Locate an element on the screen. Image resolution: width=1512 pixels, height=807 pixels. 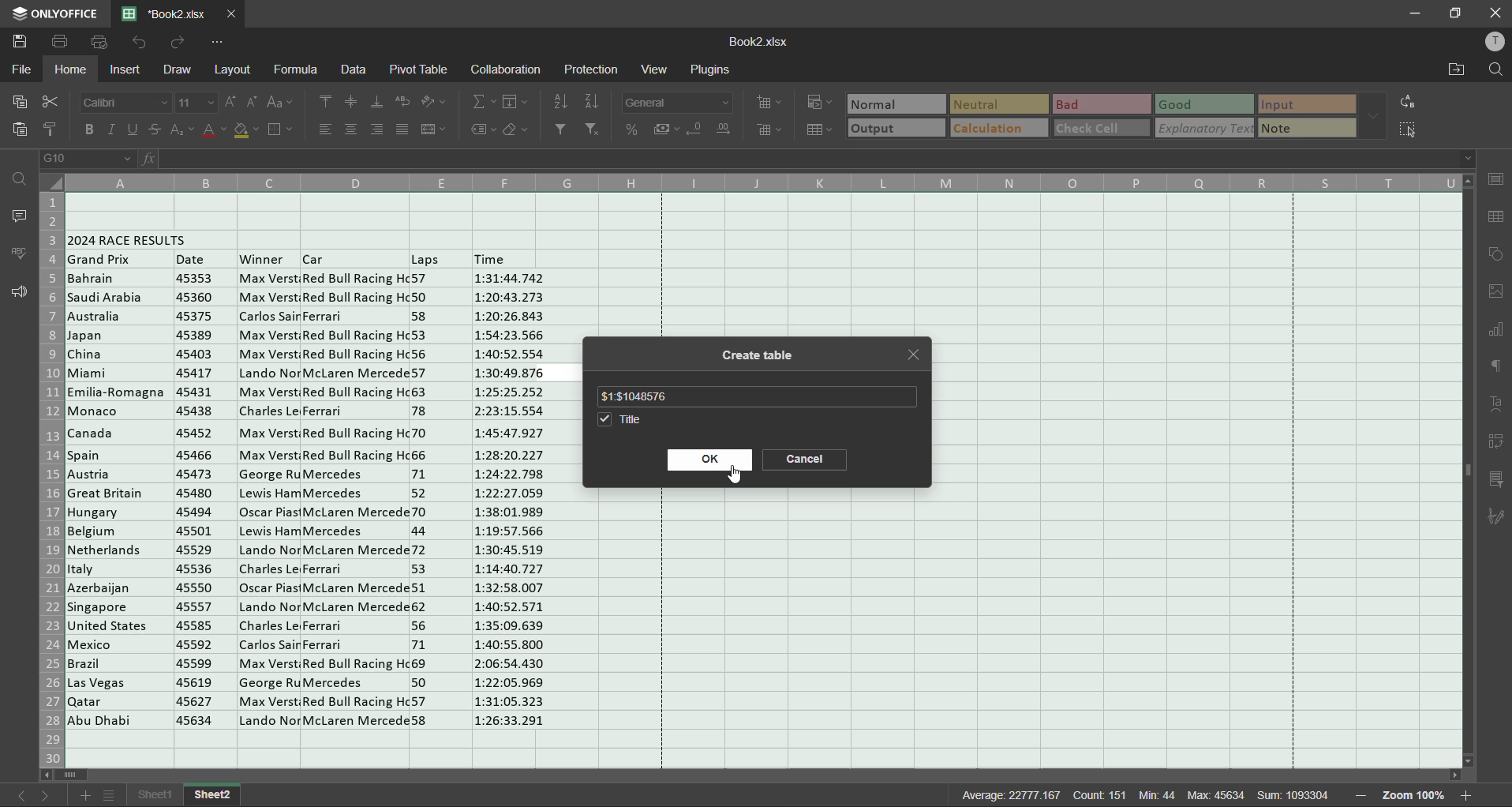
date is located at coordinates (203, 497).